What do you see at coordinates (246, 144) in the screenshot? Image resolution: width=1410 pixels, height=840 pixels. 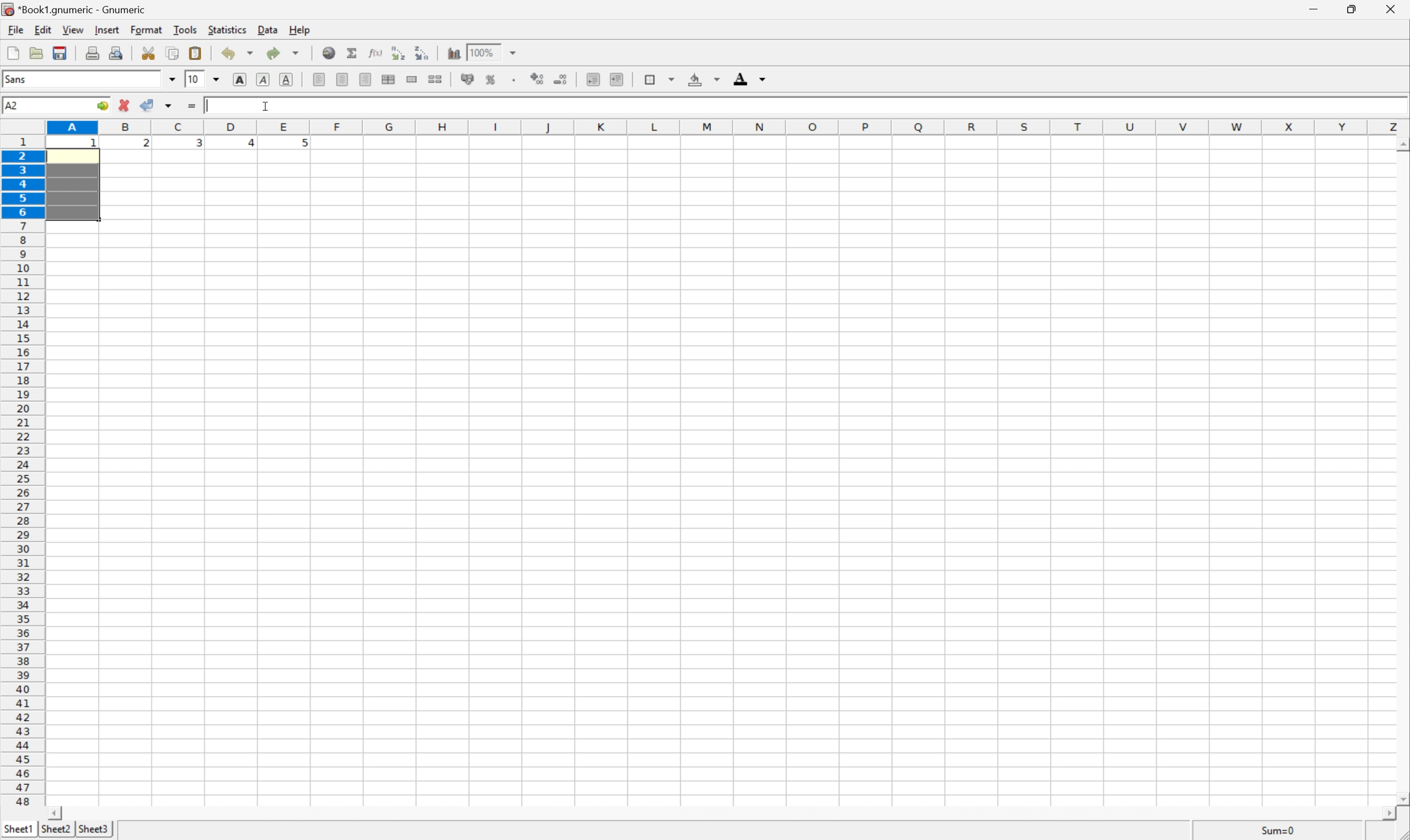 I see `4` at bounding box center [246, 144].